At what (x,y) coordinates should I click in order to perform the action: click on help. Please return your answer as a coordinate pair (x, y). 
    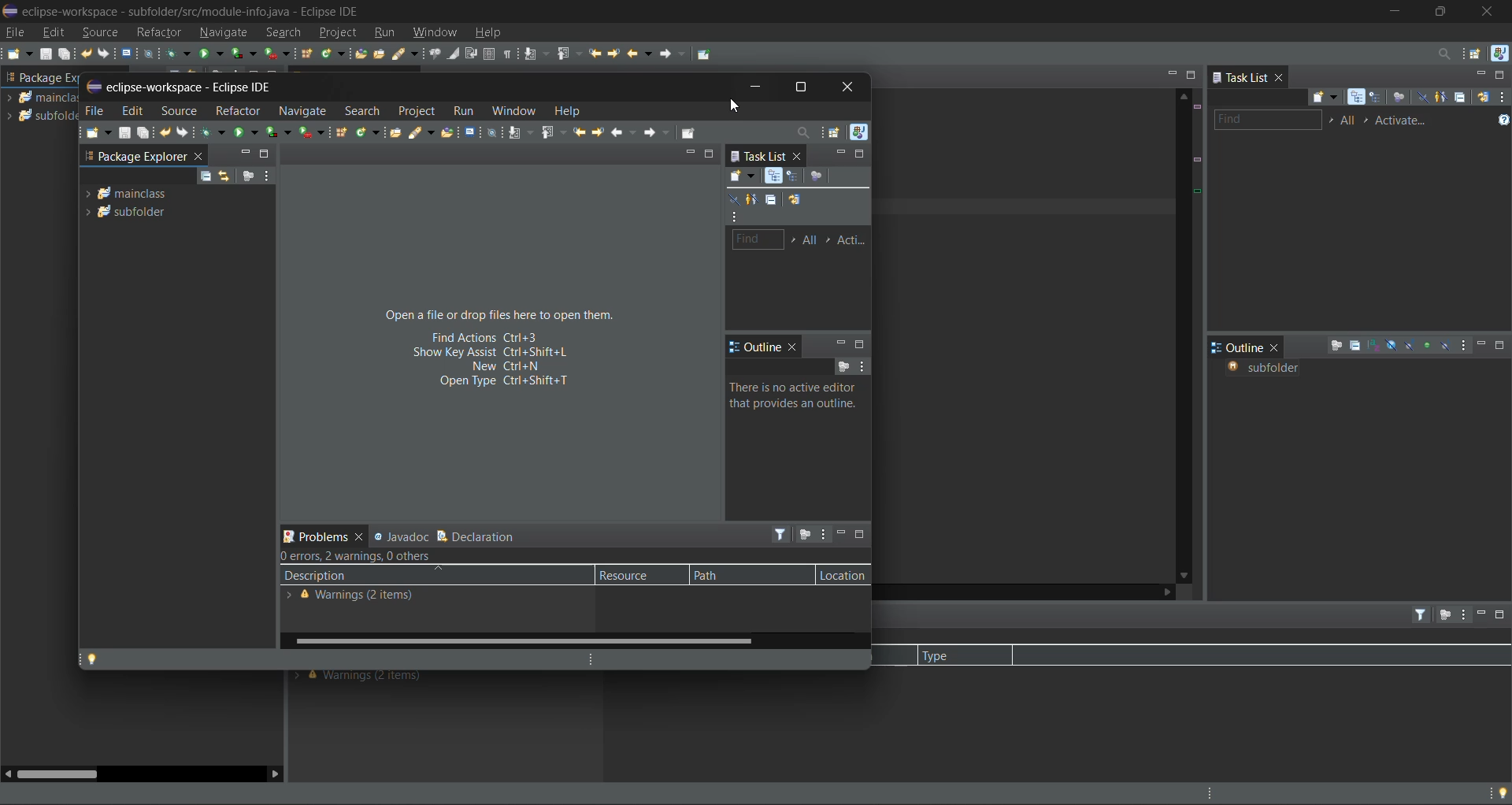
    Looking at the image, I should click on (566, 110).